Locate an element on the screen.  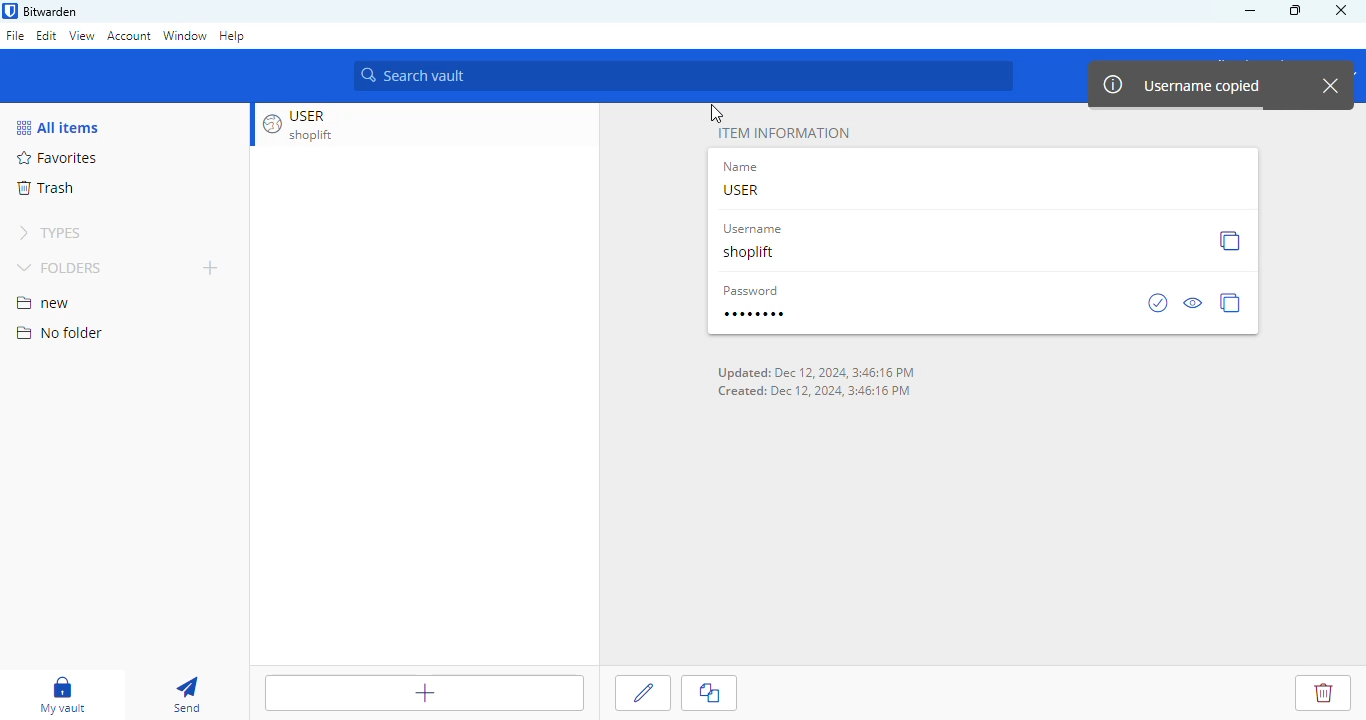
favorites is located at coordinates (60, 158).